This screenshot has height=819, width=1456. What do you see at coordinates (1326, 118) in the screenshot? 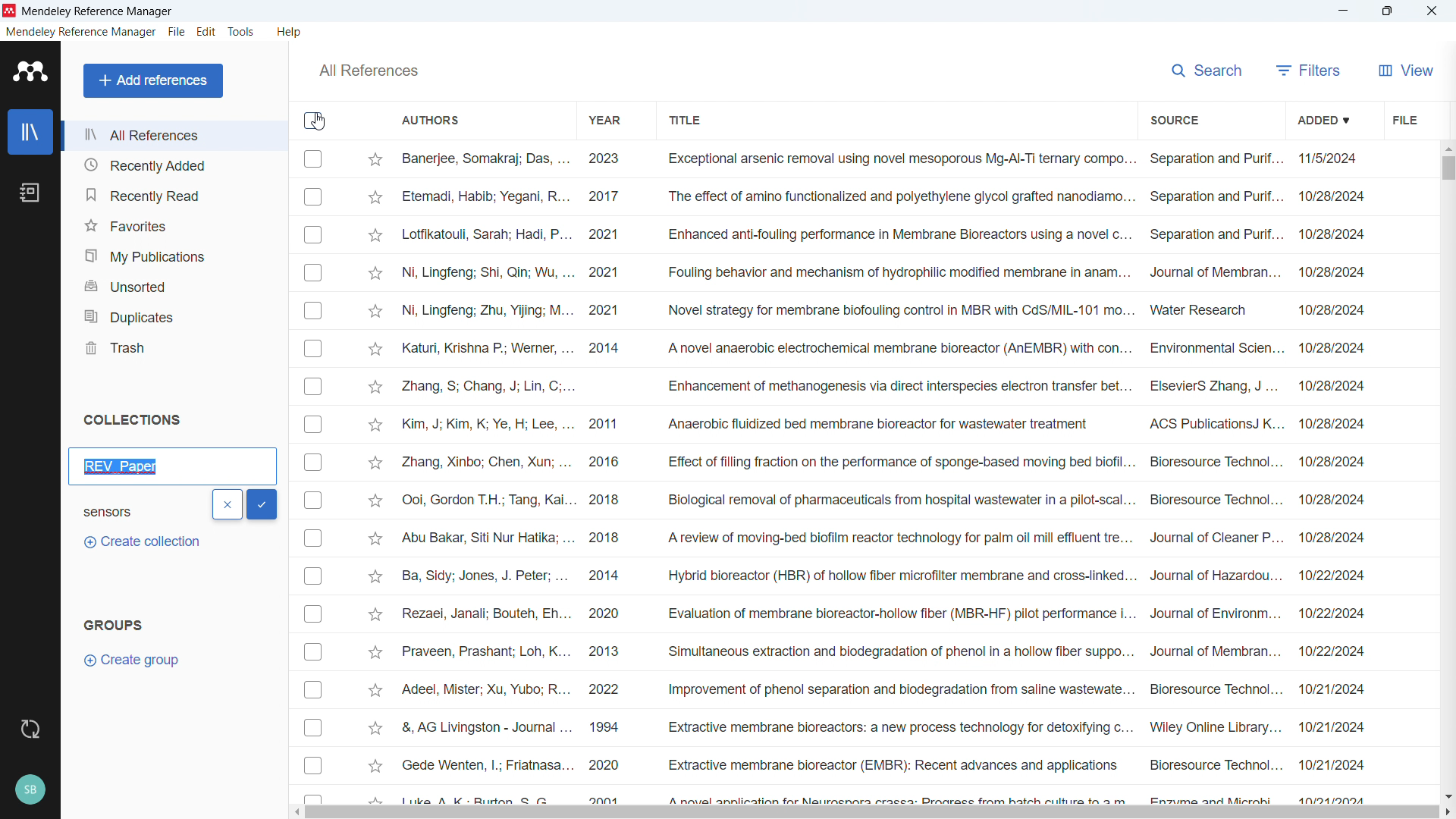
I see `Added` at bounding box center [1326, 118].